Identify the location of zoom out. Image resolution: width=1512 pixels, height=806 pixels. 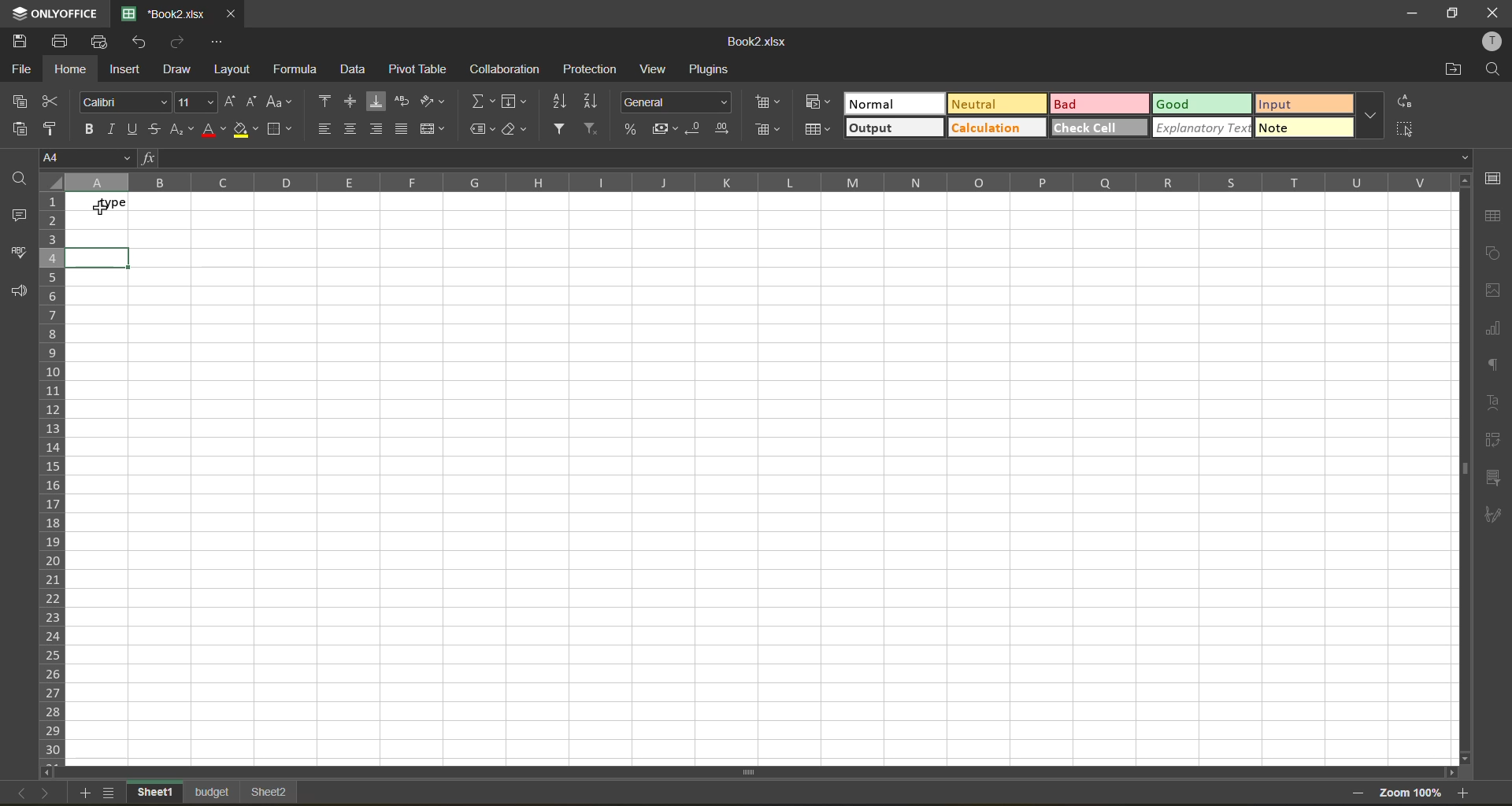
(1356, 793).